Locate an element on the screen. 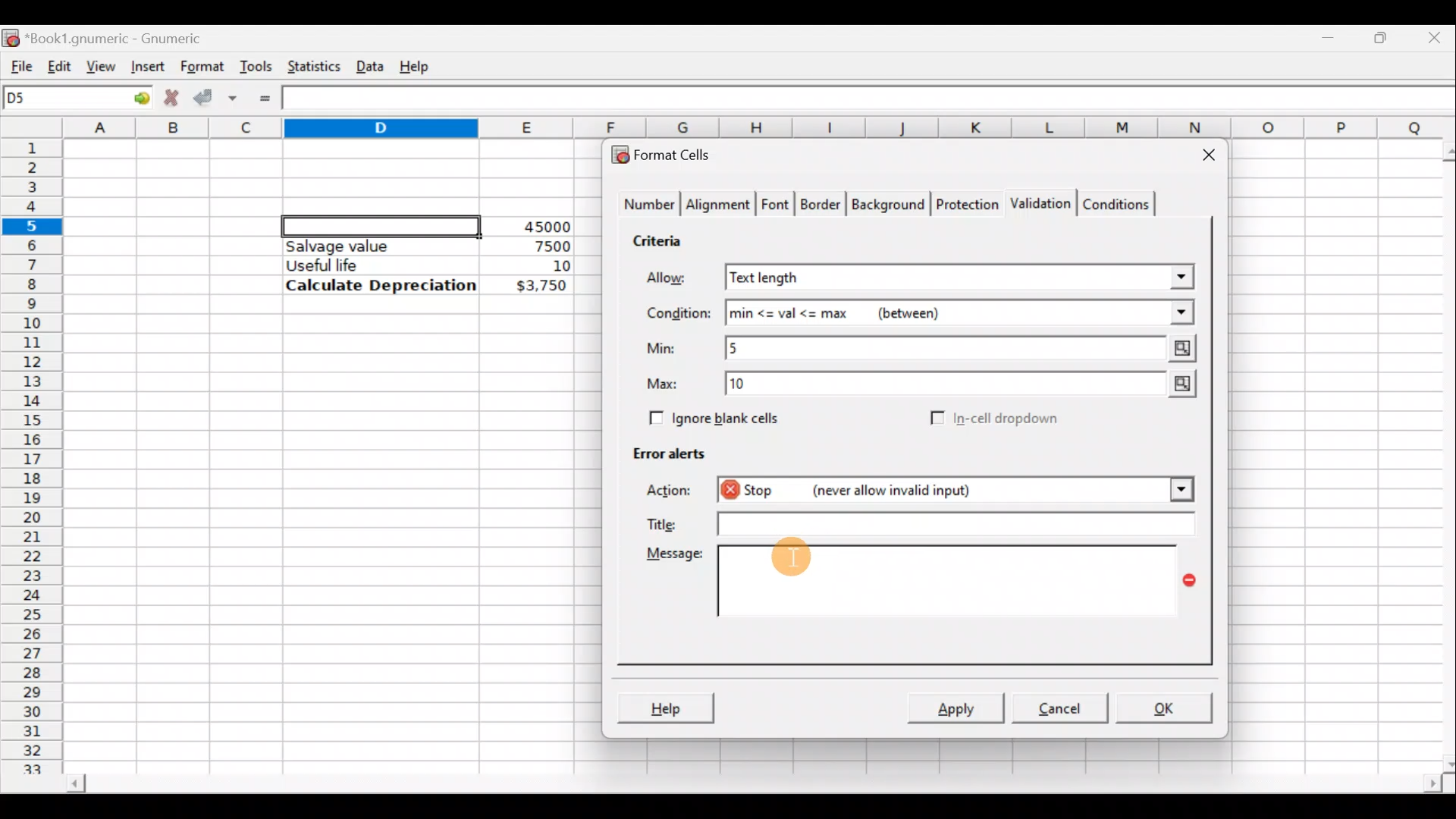  Data is located at coordinates (369, 63).